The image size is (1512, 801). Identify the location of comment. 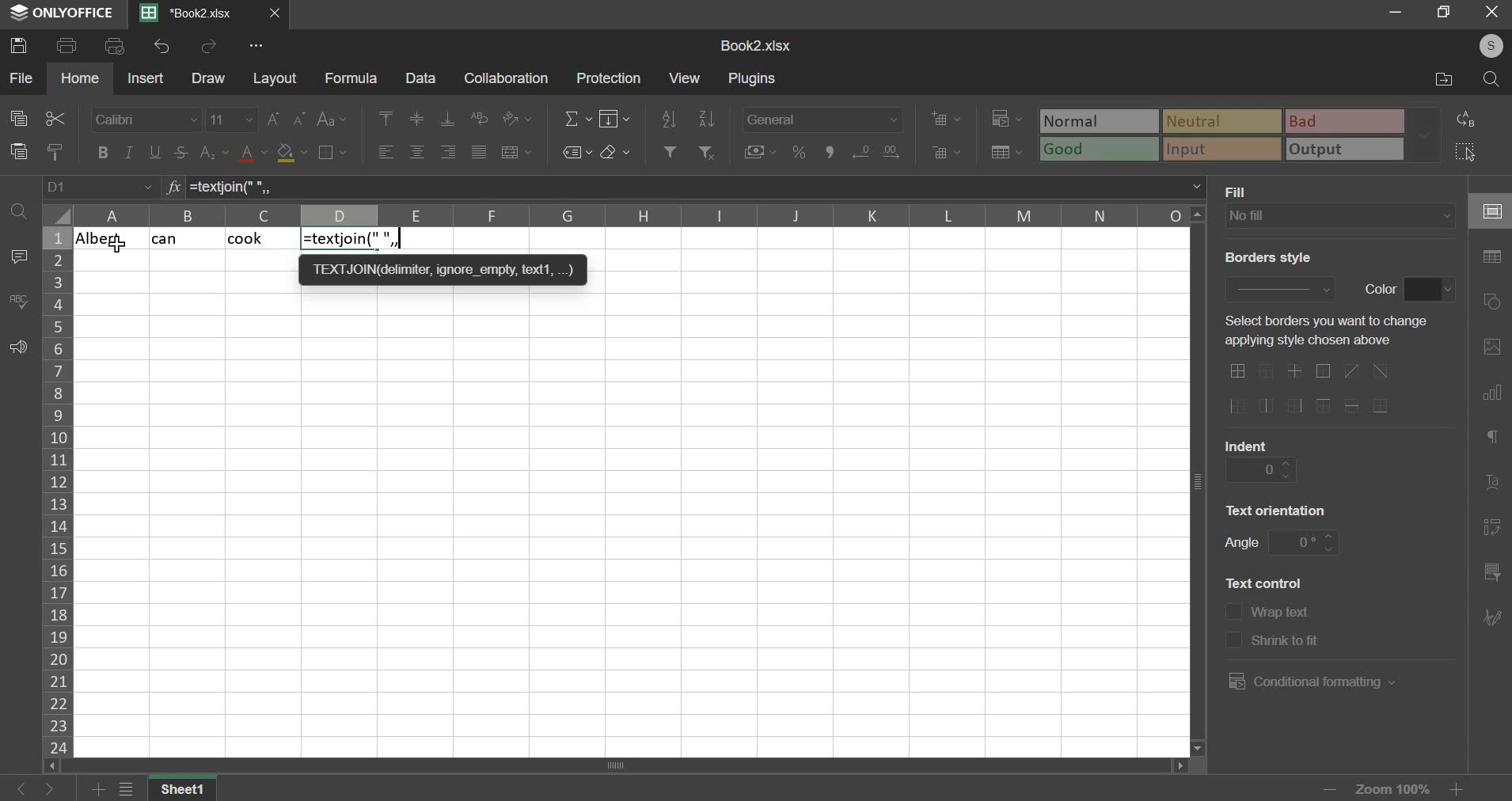
(18, 256).